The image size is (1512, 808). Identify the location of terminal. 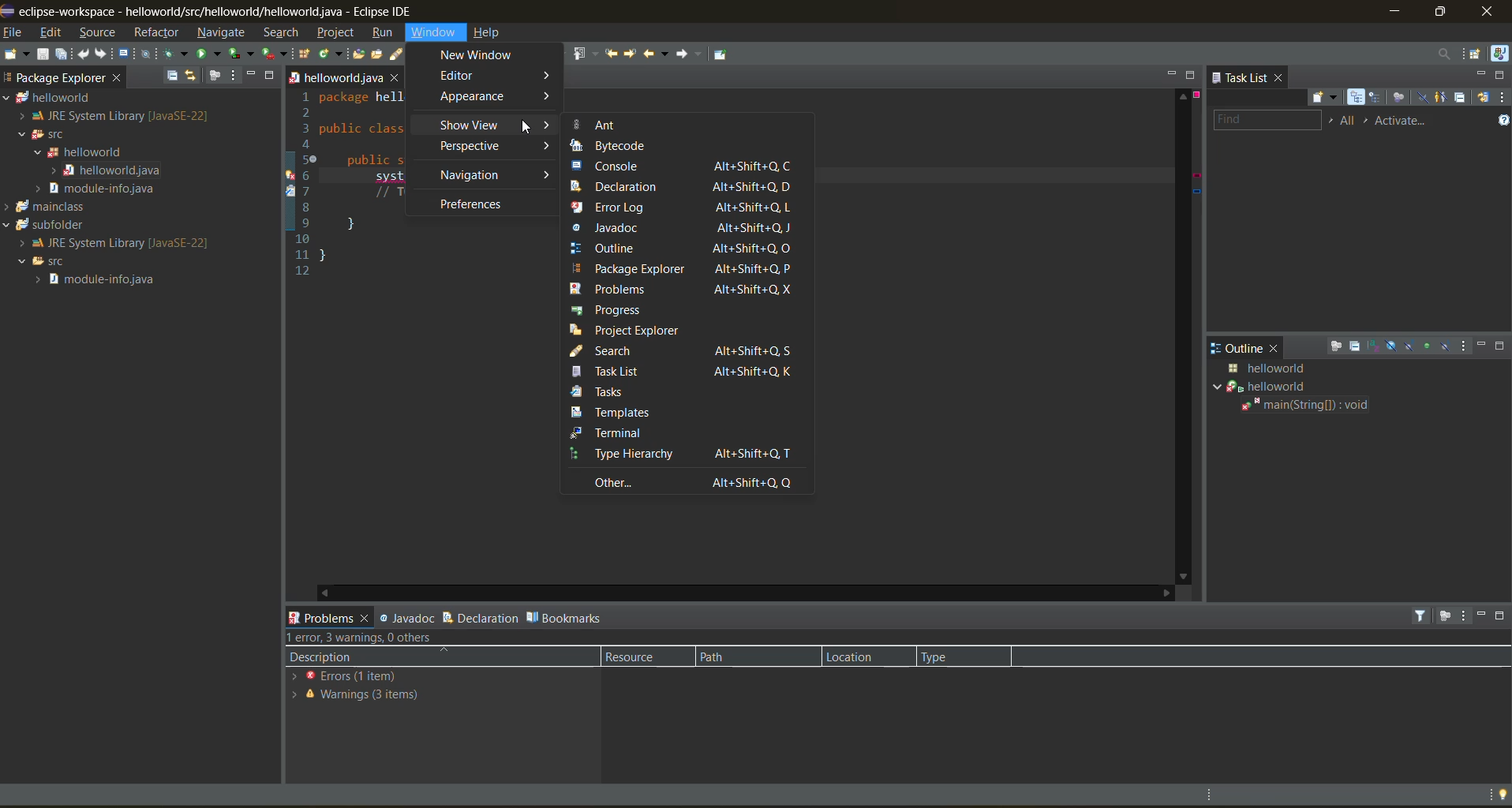
(615, 433).